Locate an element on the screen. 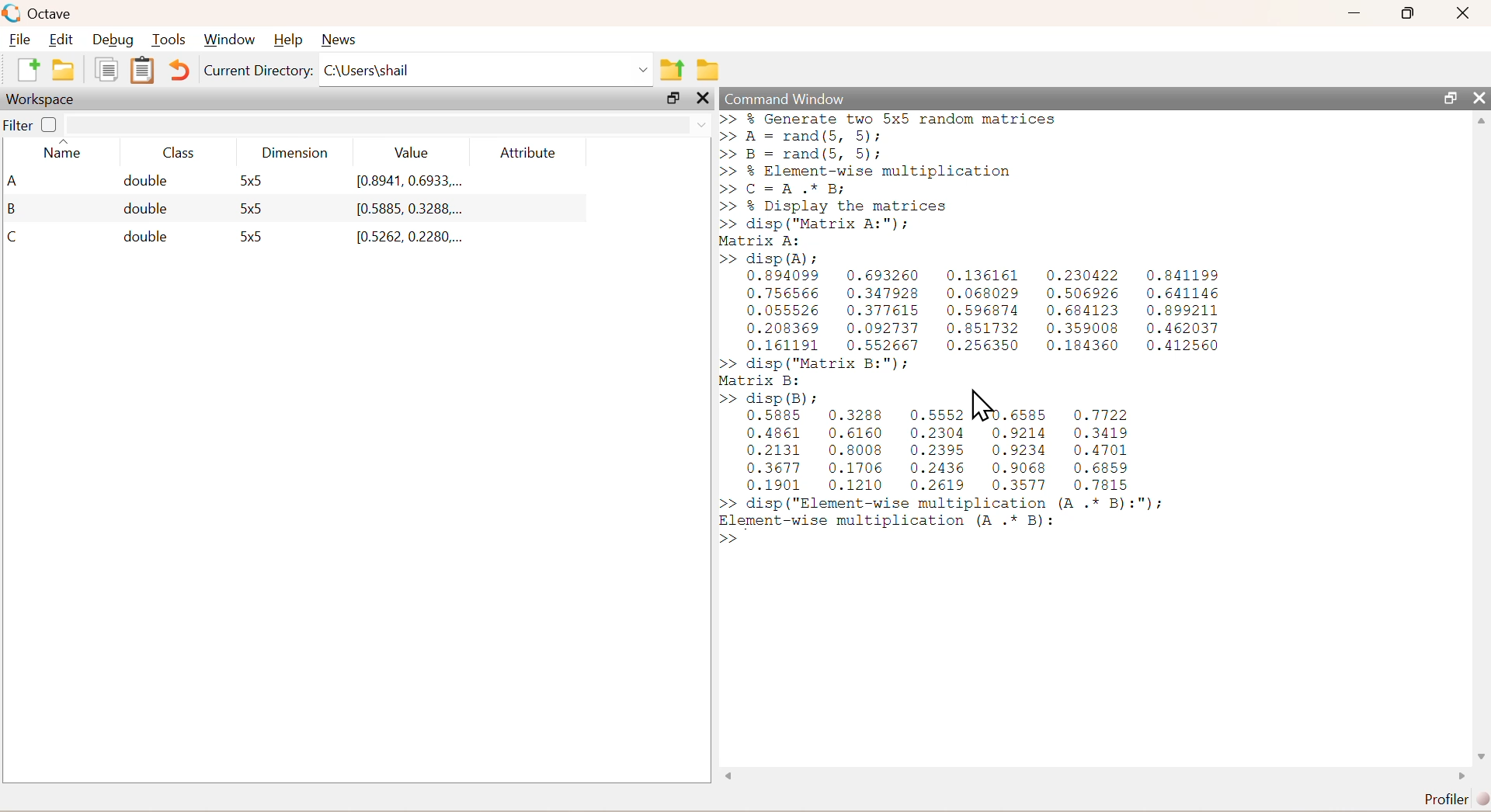 The height and width of the screenshot is (812, 1491). Octave is located at coordinates (41, 13).